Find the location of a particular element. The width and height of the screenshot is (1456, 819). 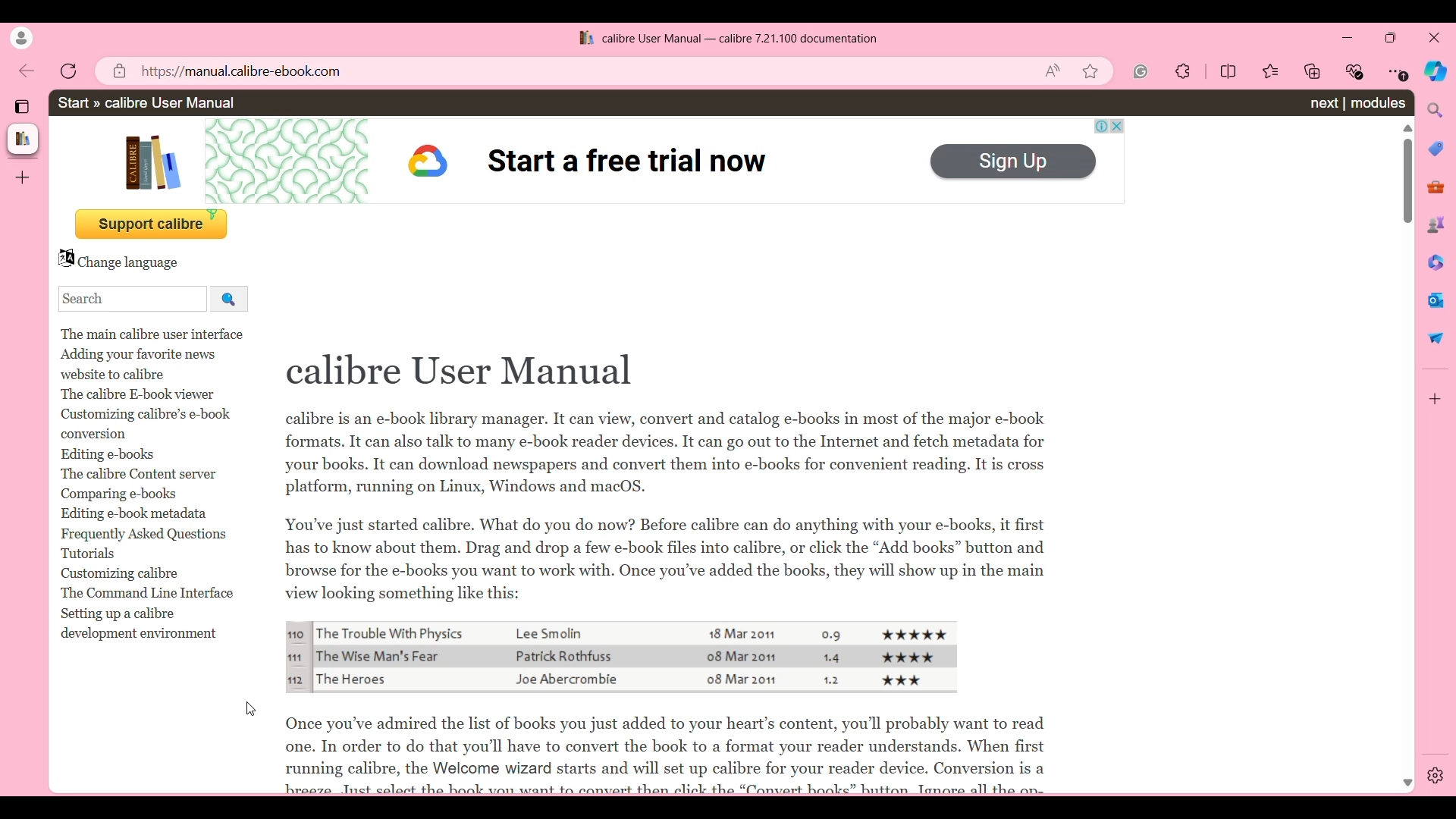

Tools is located at coordinates (1435, 188).